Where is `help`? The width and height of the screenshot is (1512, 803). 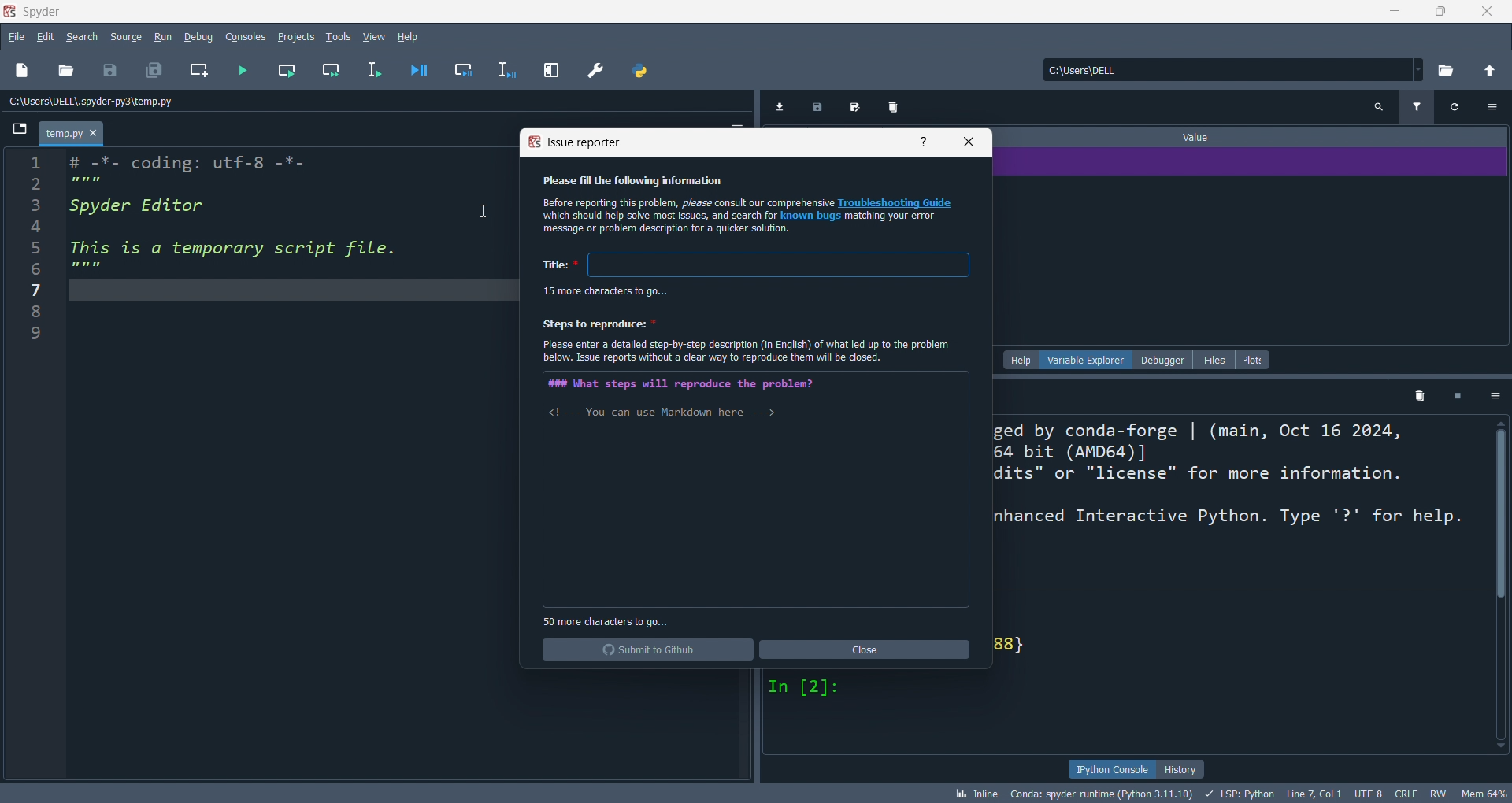 help is located at coordinates (925, 142).